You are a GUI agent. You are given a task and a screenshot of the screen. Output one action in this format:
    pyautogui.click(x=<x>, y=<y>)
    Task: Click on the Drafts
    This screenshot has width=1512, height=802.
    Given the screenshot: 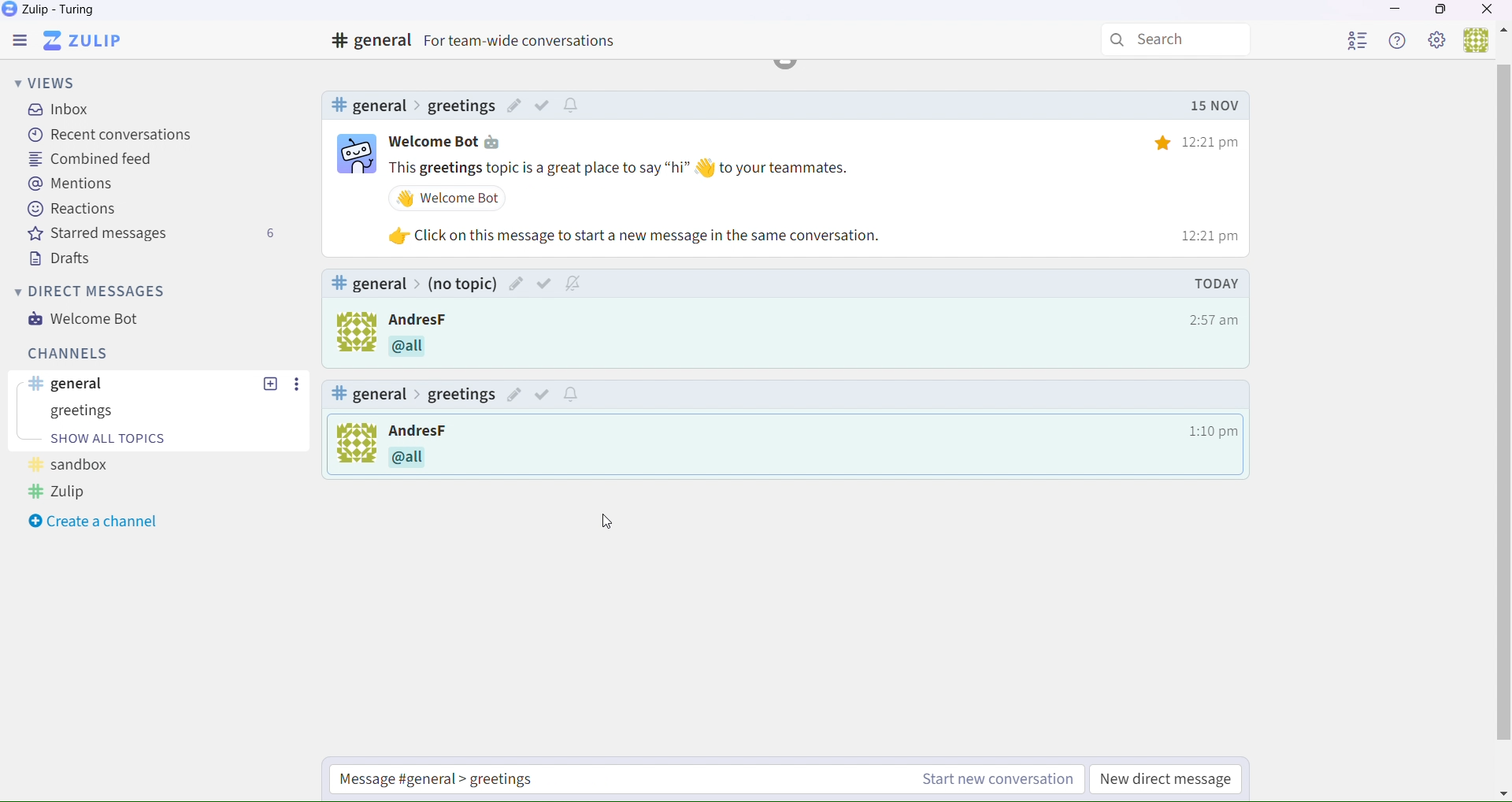 What is the action you would take?
    pyautogui.click(x=57, y=258)
    